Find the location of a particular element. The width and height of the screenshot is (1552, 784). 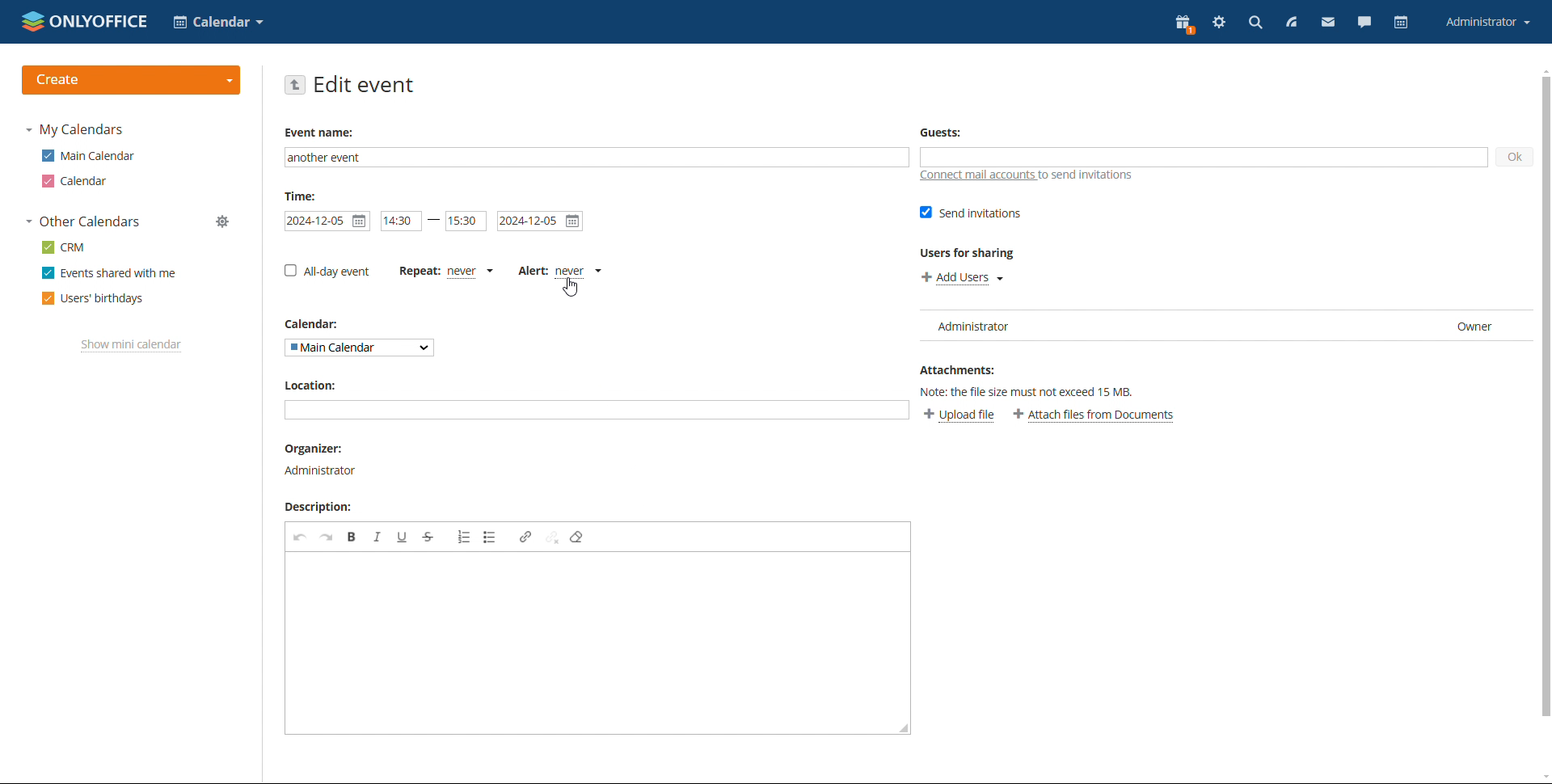

Guests: is located at coordinates (940, 132).